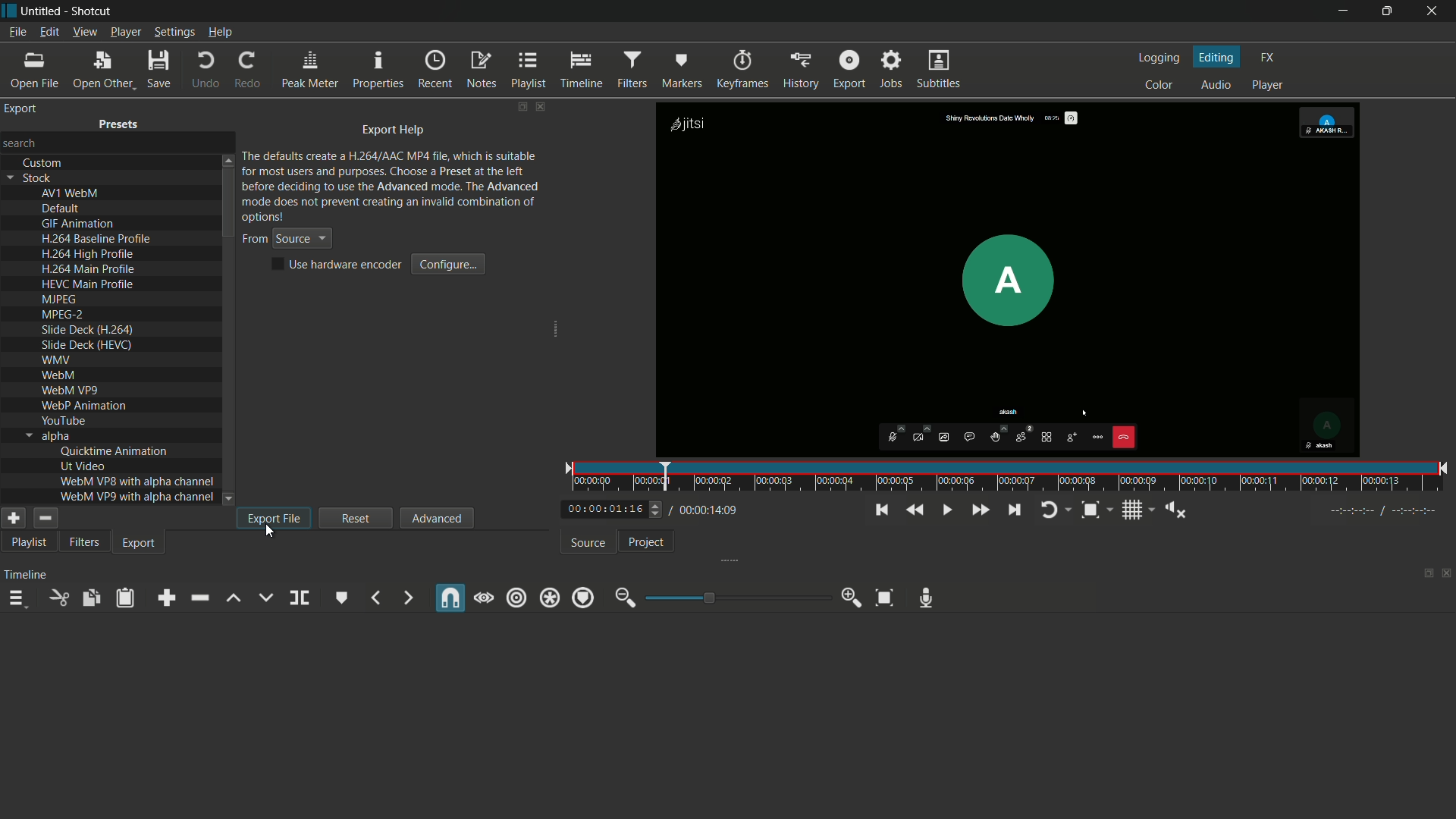  What do you see at coordinates (60, 598) in the screenshot?
I see `cut` at bounding box center [60, 598].